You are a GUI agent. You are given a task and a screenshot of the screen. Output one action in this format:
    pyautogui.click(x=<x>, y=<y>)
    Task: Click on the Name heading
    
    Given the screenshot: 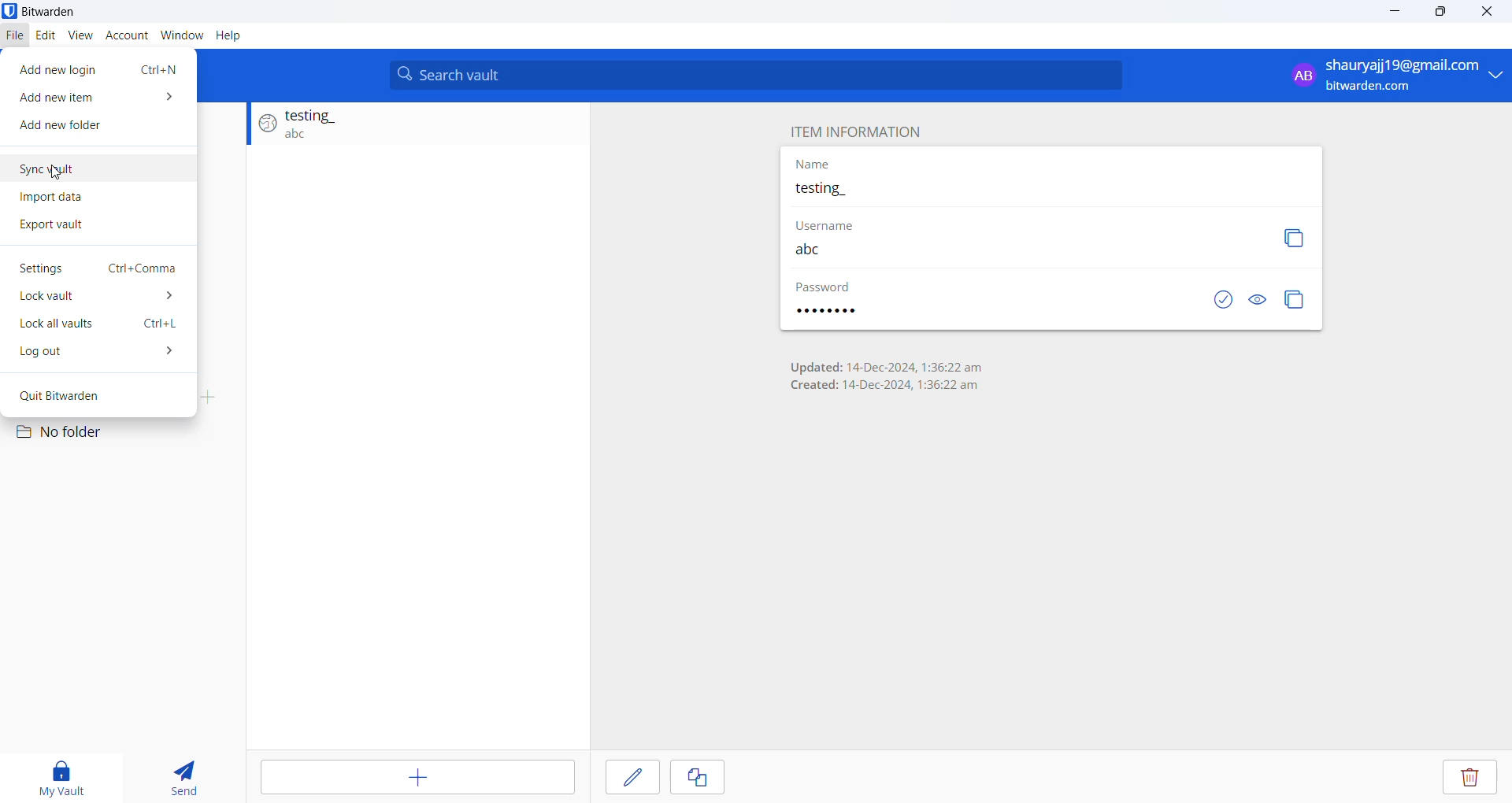 What is the action you would take?
    pyautogui.click(x=814, y=165)
    